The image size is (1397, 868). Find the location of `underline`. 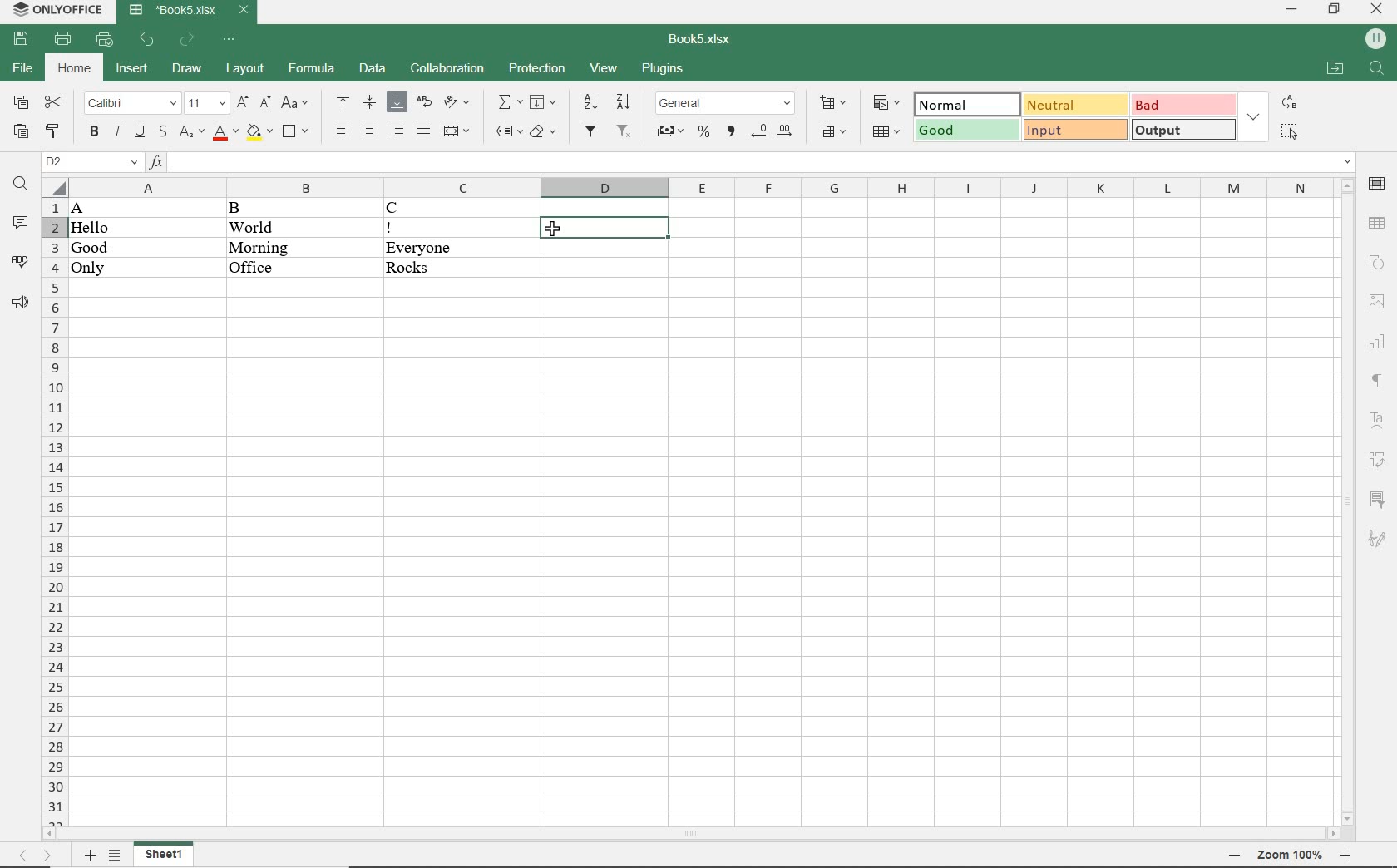

underline is located at coordinates (140, 134).